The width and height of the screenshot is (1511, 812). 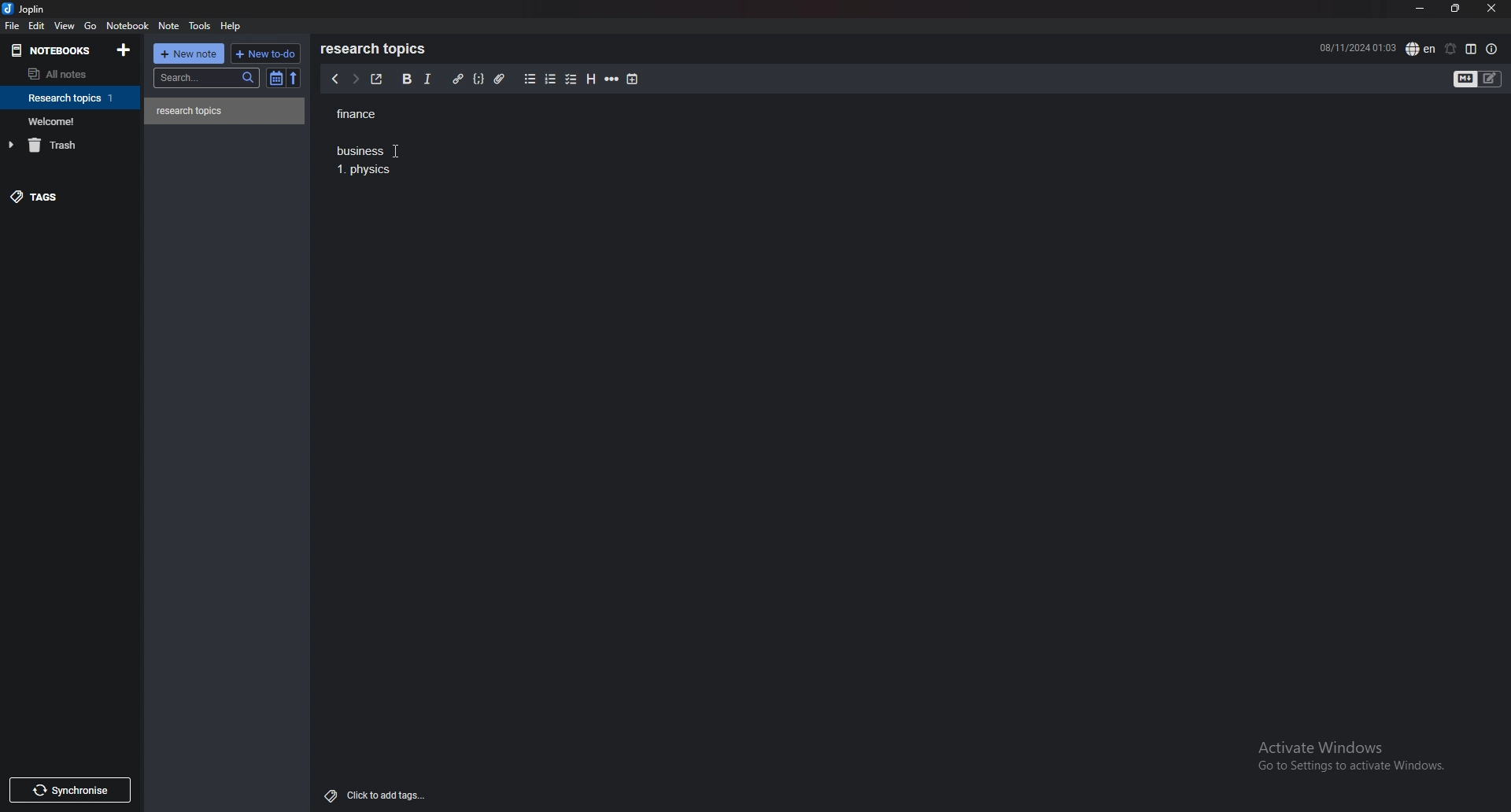 I want to click on file, so click(x=13, y=26).